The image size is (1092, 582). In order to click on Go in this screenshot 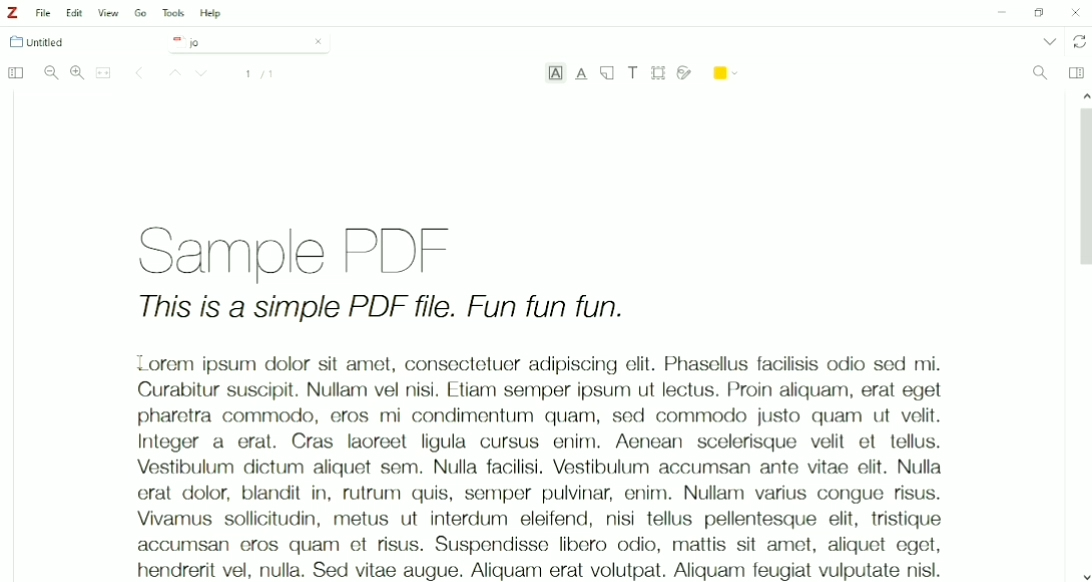, I will do `click(141, 12)`.